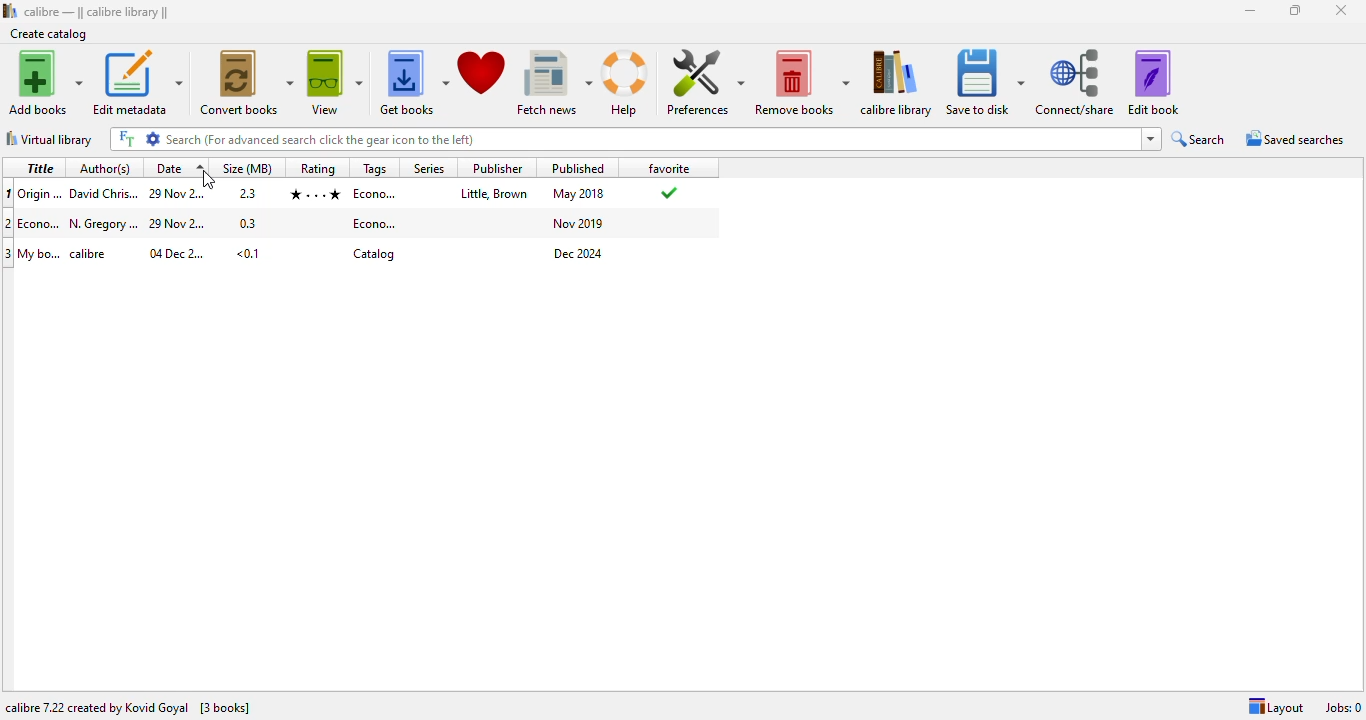  What do you see at coordinates (40, 167) in the screenshot?
I see `title` at bounding box center [40, 167].